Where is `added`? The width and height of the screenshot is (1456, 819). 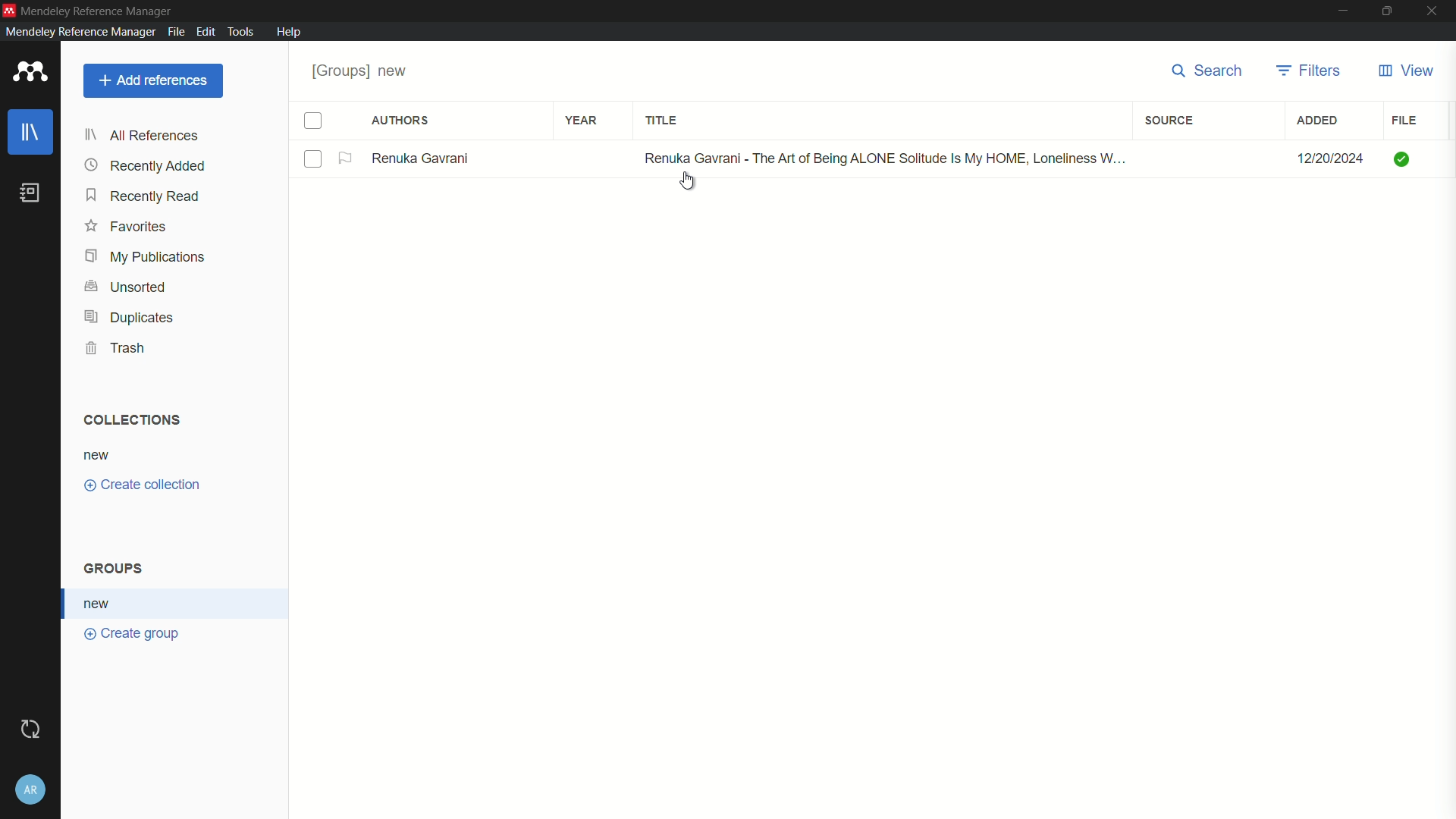
added is located at coordinates (1319, 122).